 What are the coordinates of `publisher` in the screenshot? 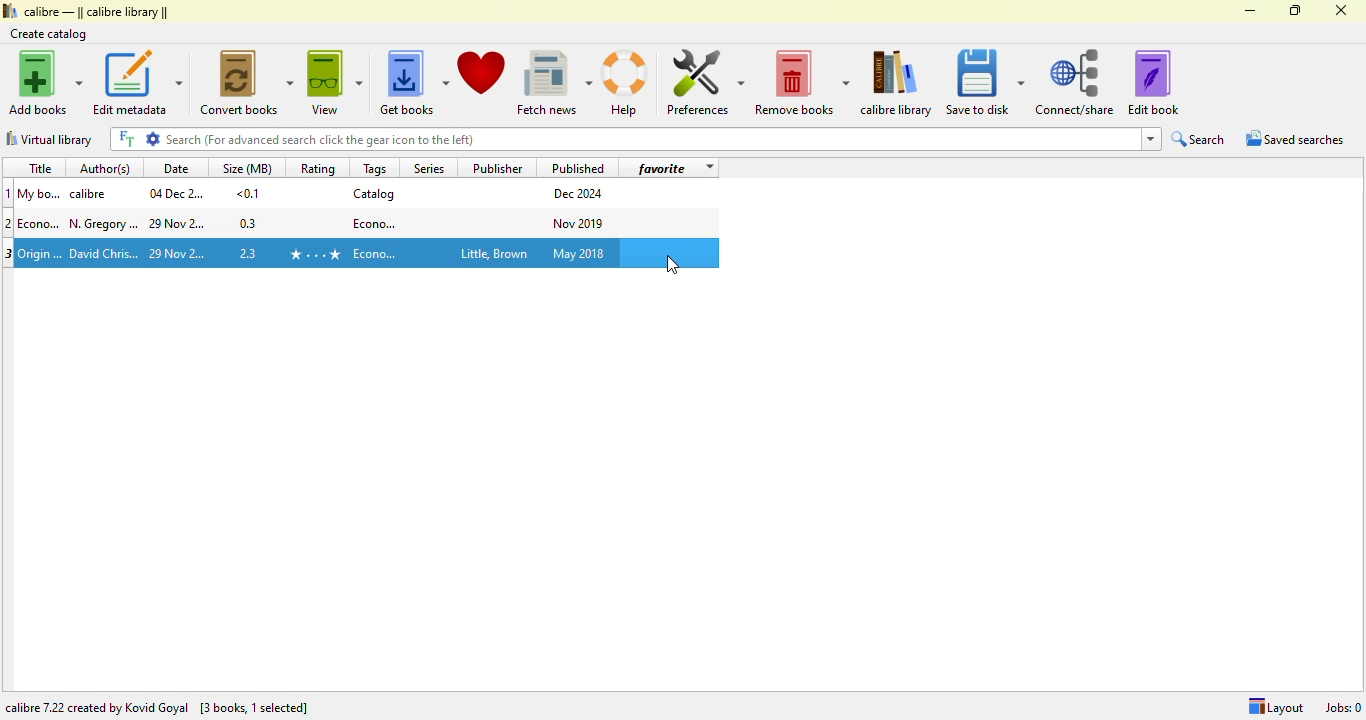 It's located at (499, 167).